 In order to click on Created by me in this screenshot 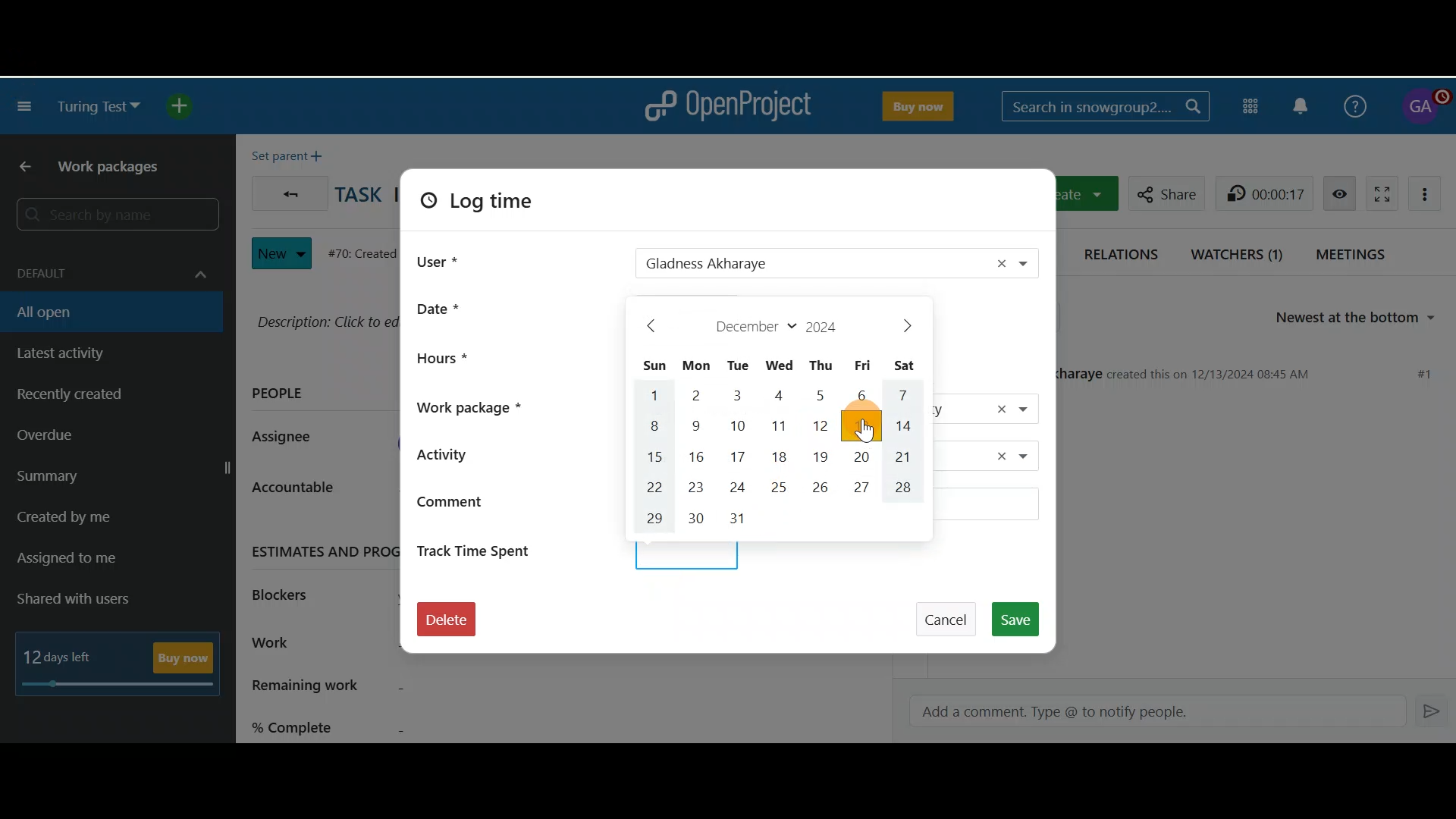, I will do `click(100, 522)`.